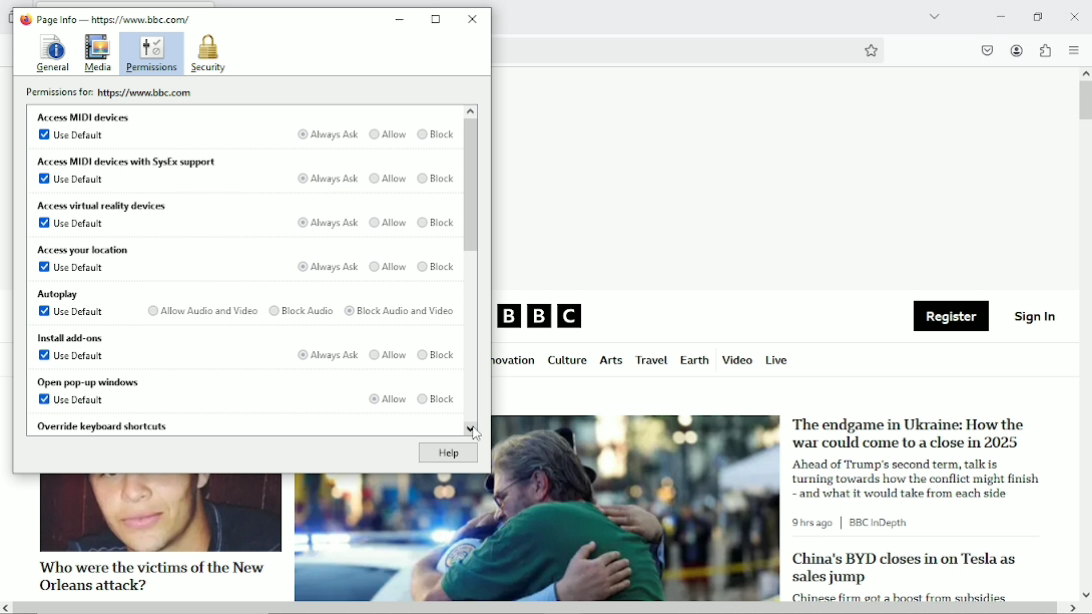 The height and width of the screenshot is (614, 1092). Describe the element at coordinates (400, 20) in the screenshot. I see `minimize` at that location.